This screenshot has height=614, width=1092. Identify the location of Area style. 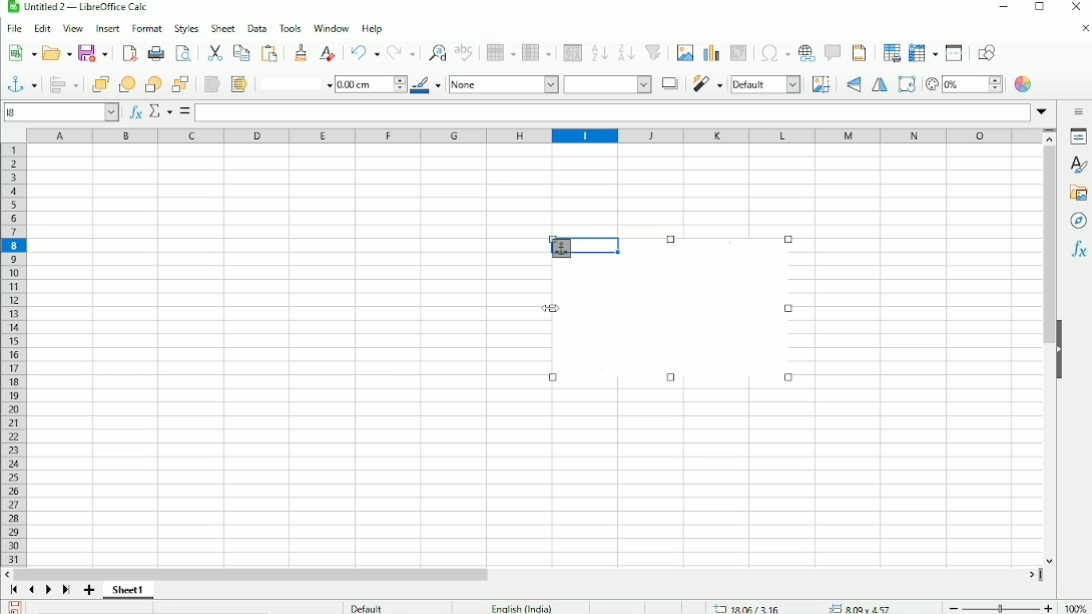
(550, 85).